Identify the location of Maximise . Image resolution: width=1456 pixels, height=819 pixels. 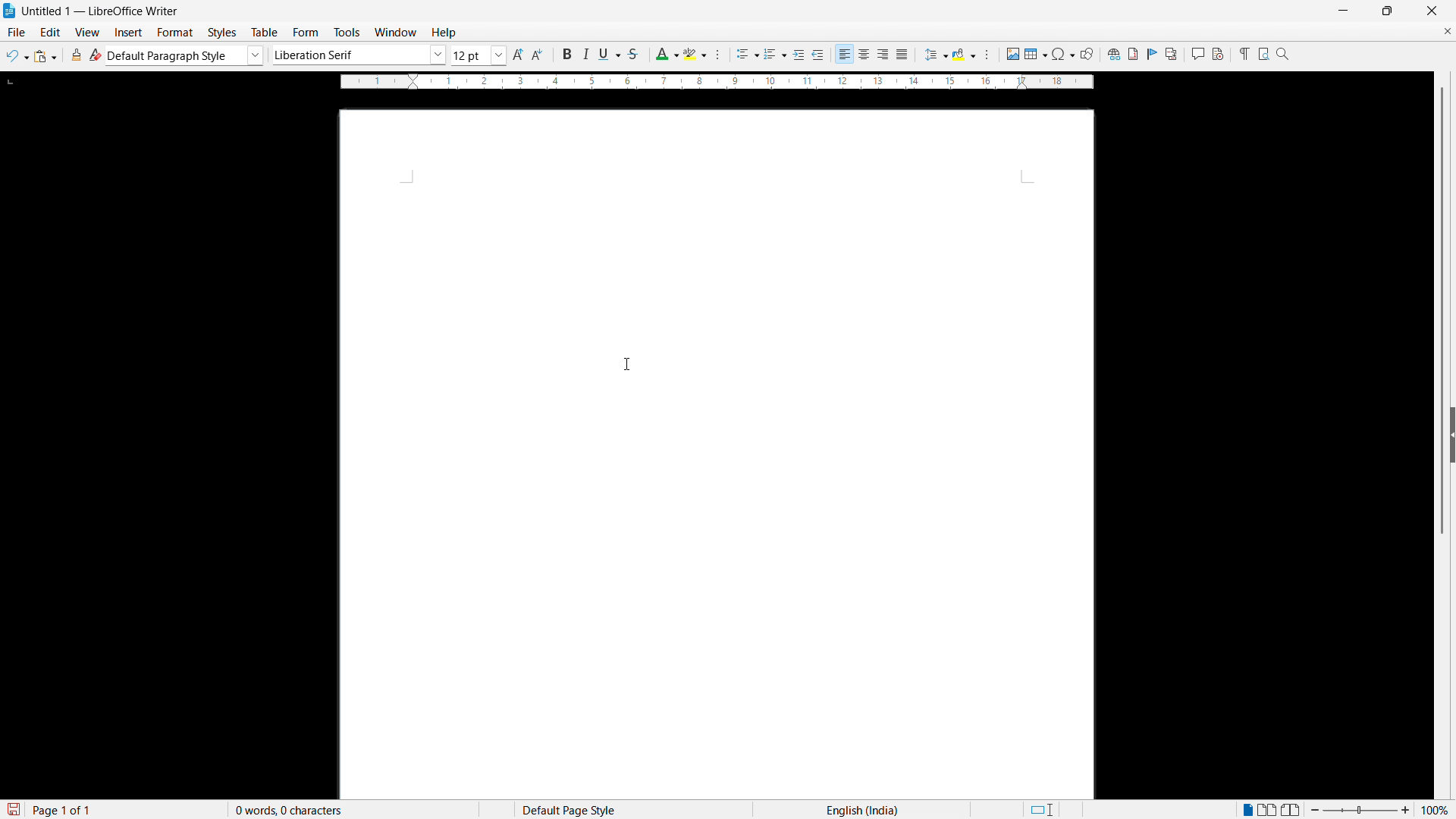
(1388, 11).